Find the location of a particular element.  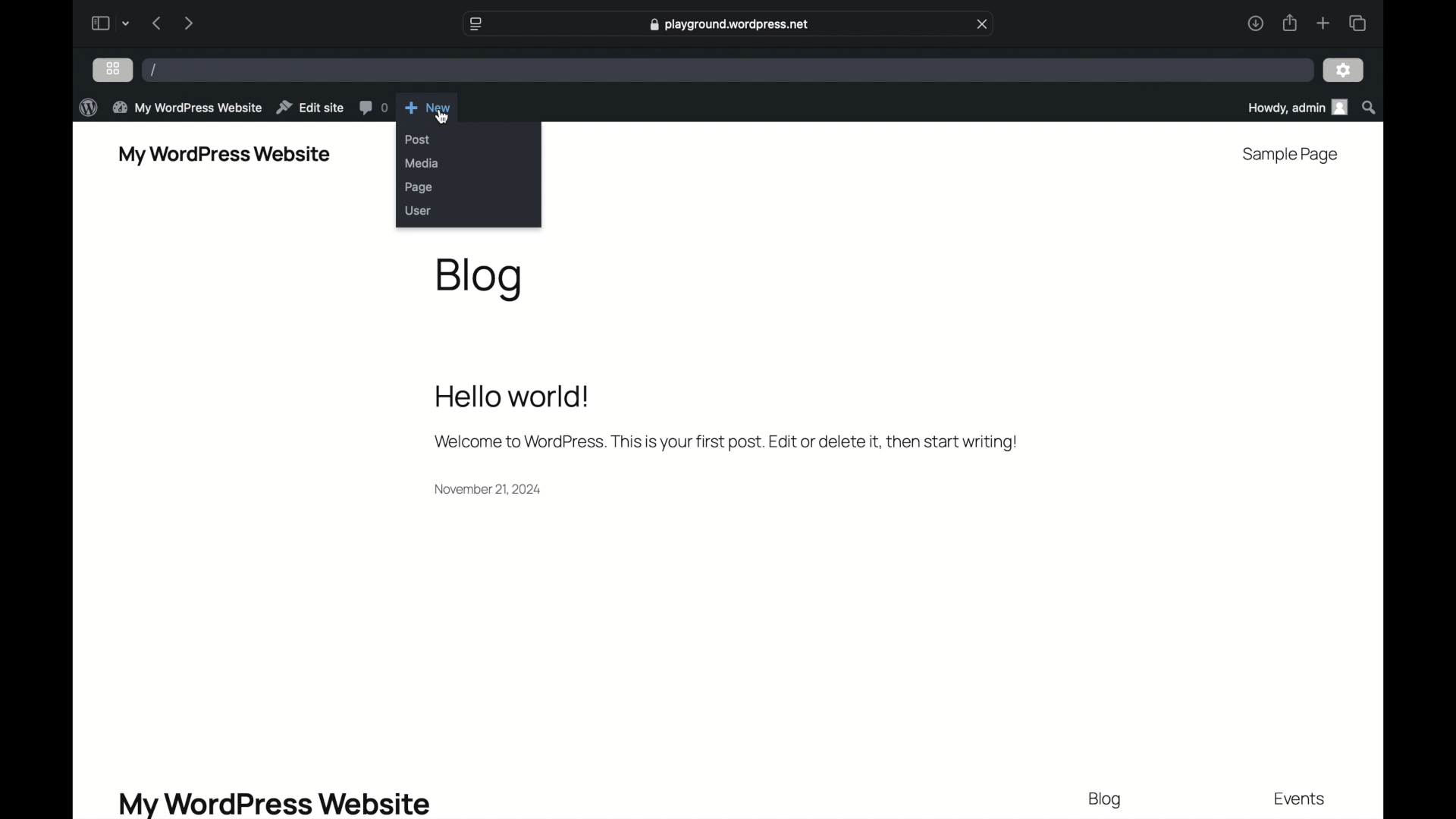

user is located at coordinates (417, 210).